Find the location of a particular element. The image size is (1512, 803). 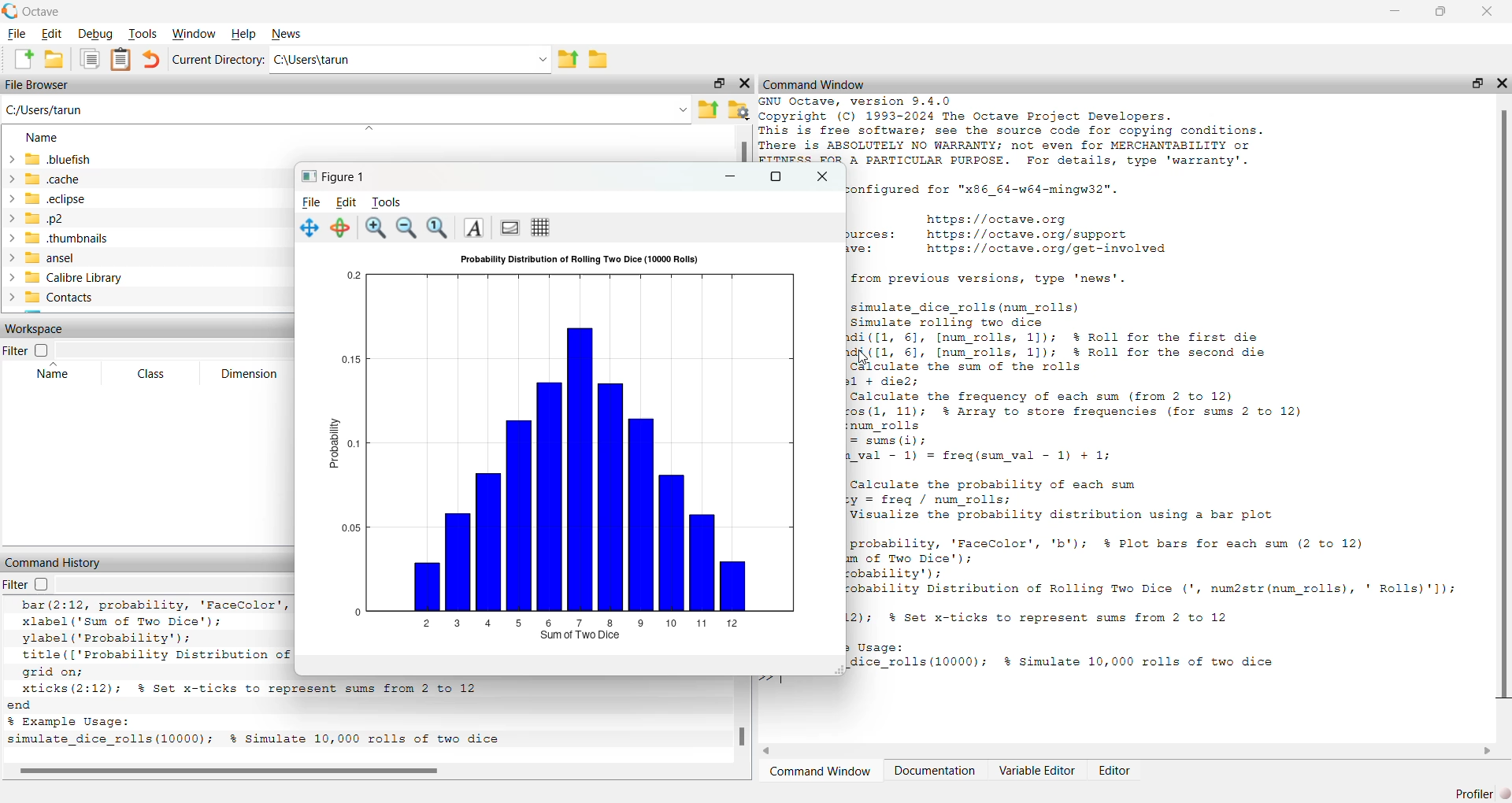

Dimension is located at coordinates (250, 375).